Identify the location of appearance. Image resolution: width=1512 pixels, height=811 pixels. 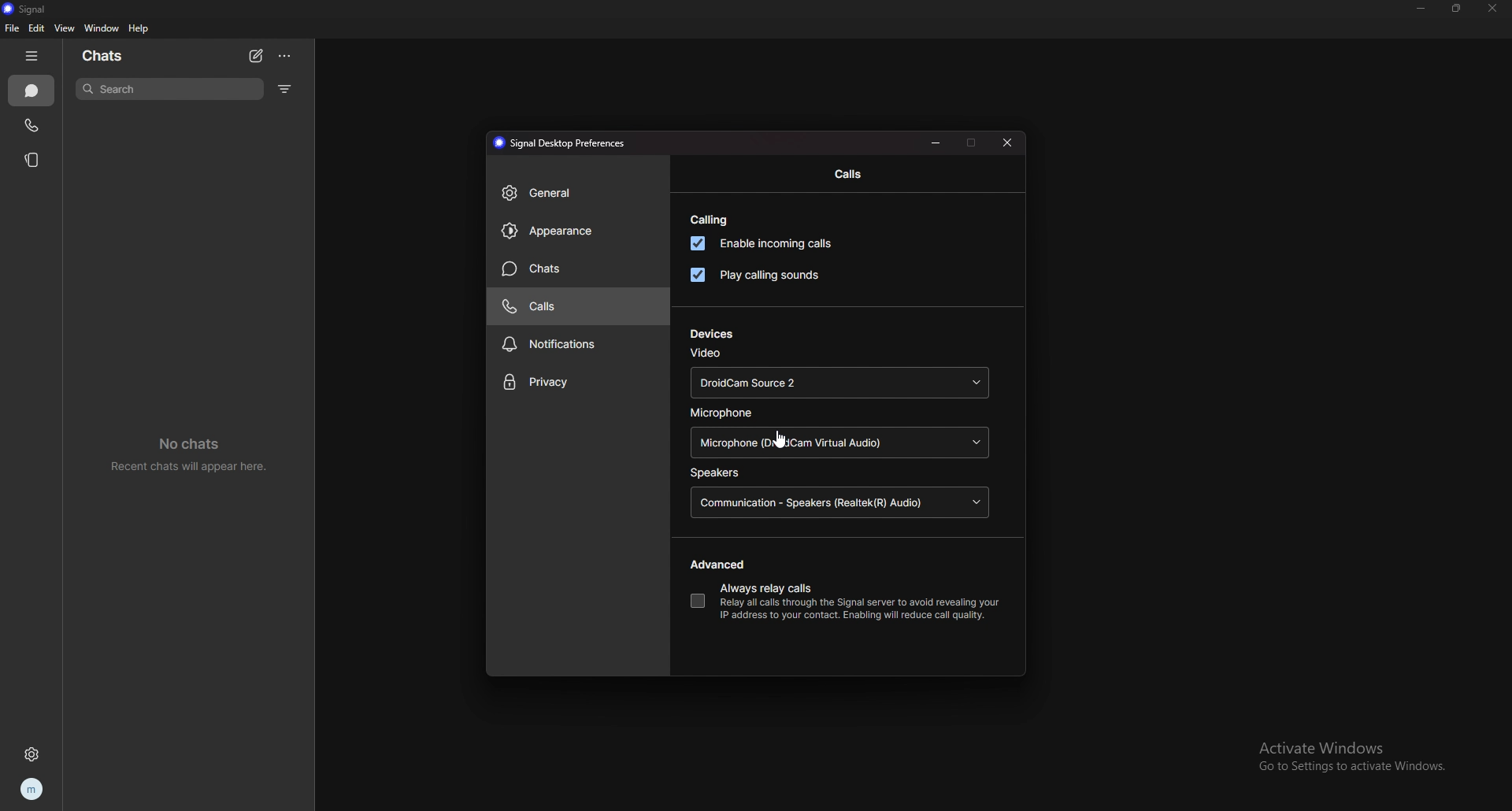
(578, 231).